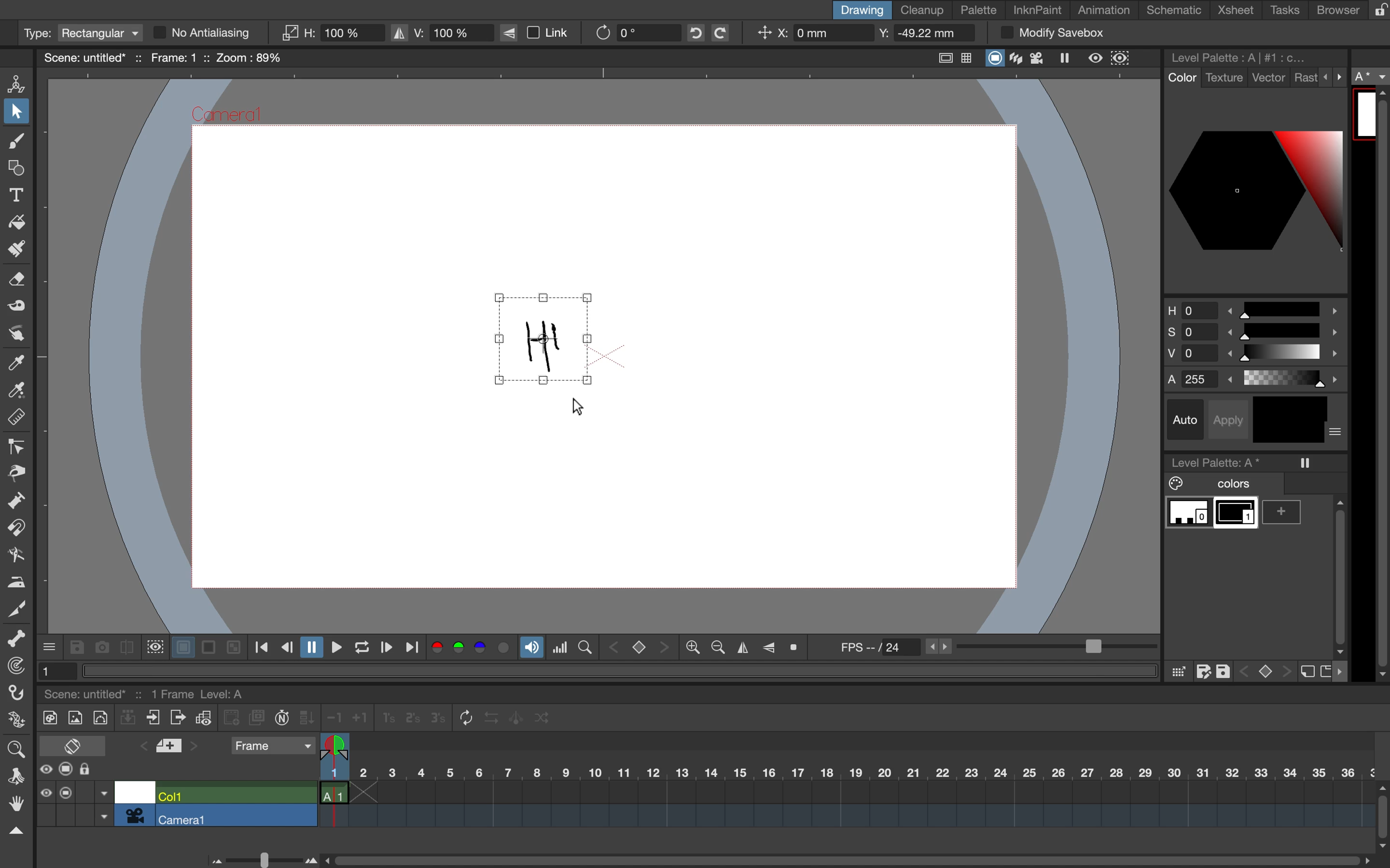  Describe the element at coordinates (543, 720) in the screenshot. I see `random` at that location.